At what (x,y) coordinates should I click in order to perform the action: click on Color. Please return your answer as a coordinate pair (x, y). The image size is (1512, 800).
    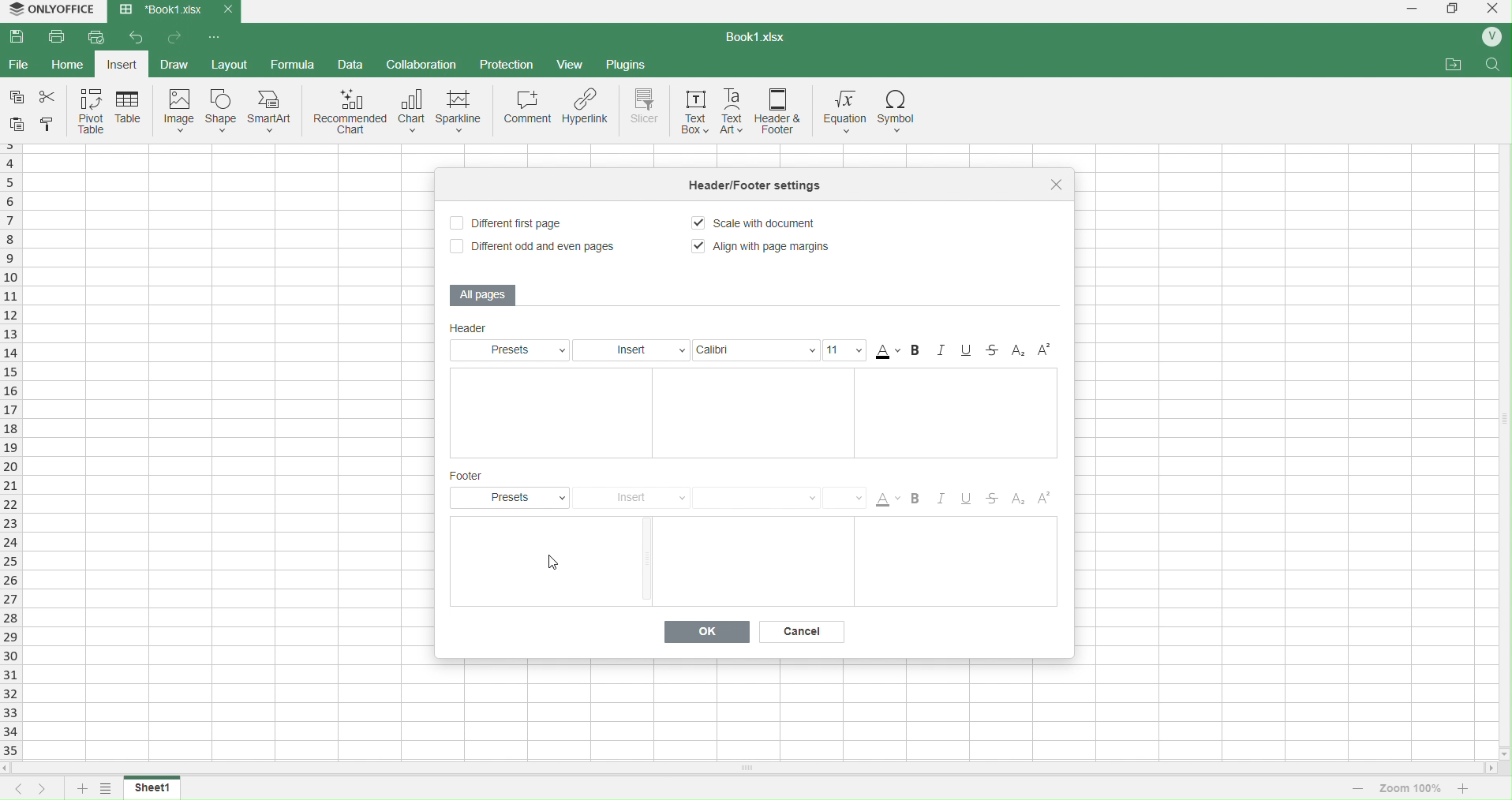
    Looking at the image, I should click on (889, 351).